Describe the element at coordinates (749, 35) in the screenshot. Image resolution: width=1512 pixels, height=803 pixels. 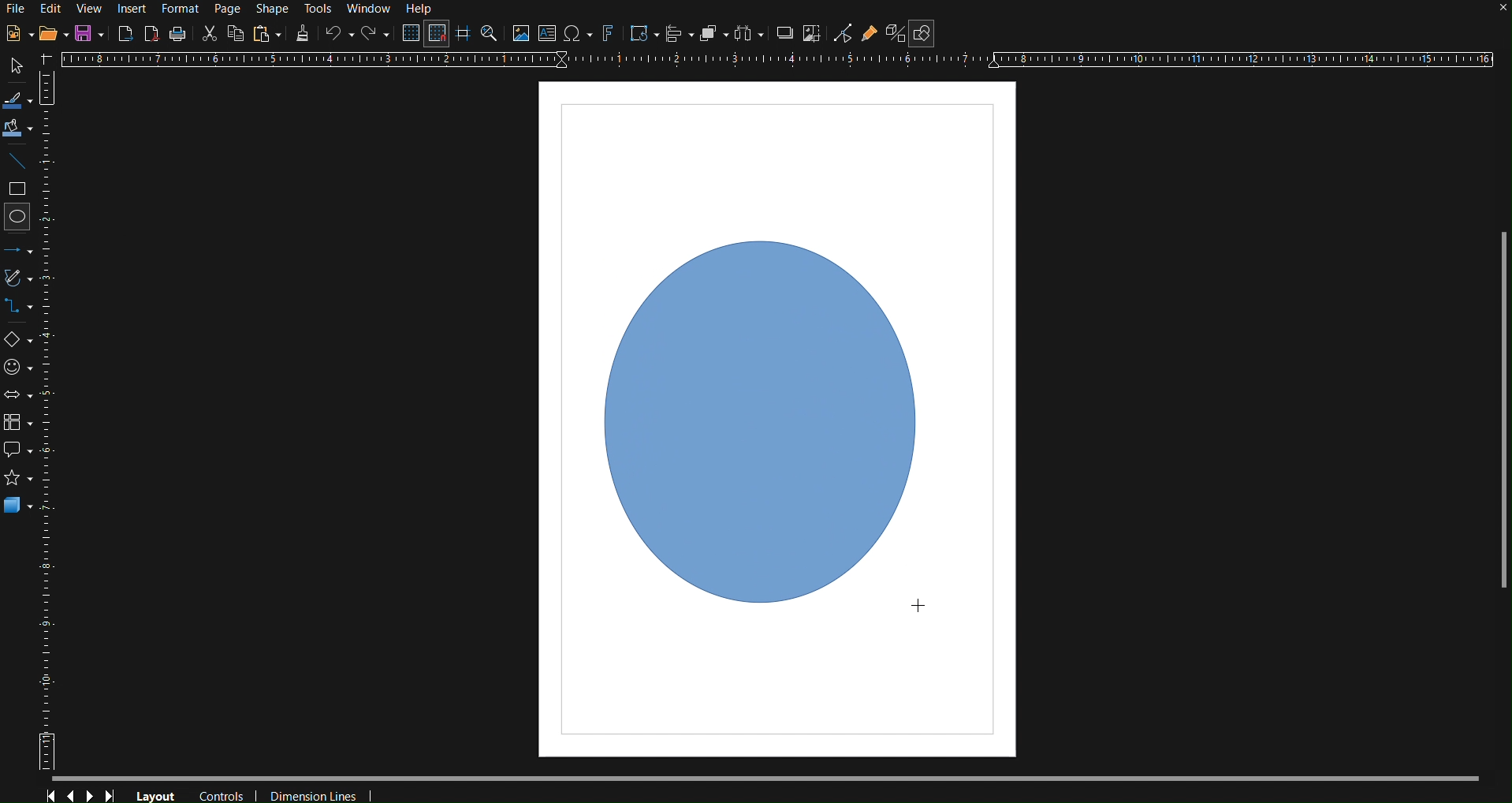
I see `Select objects to distribute` at that location.